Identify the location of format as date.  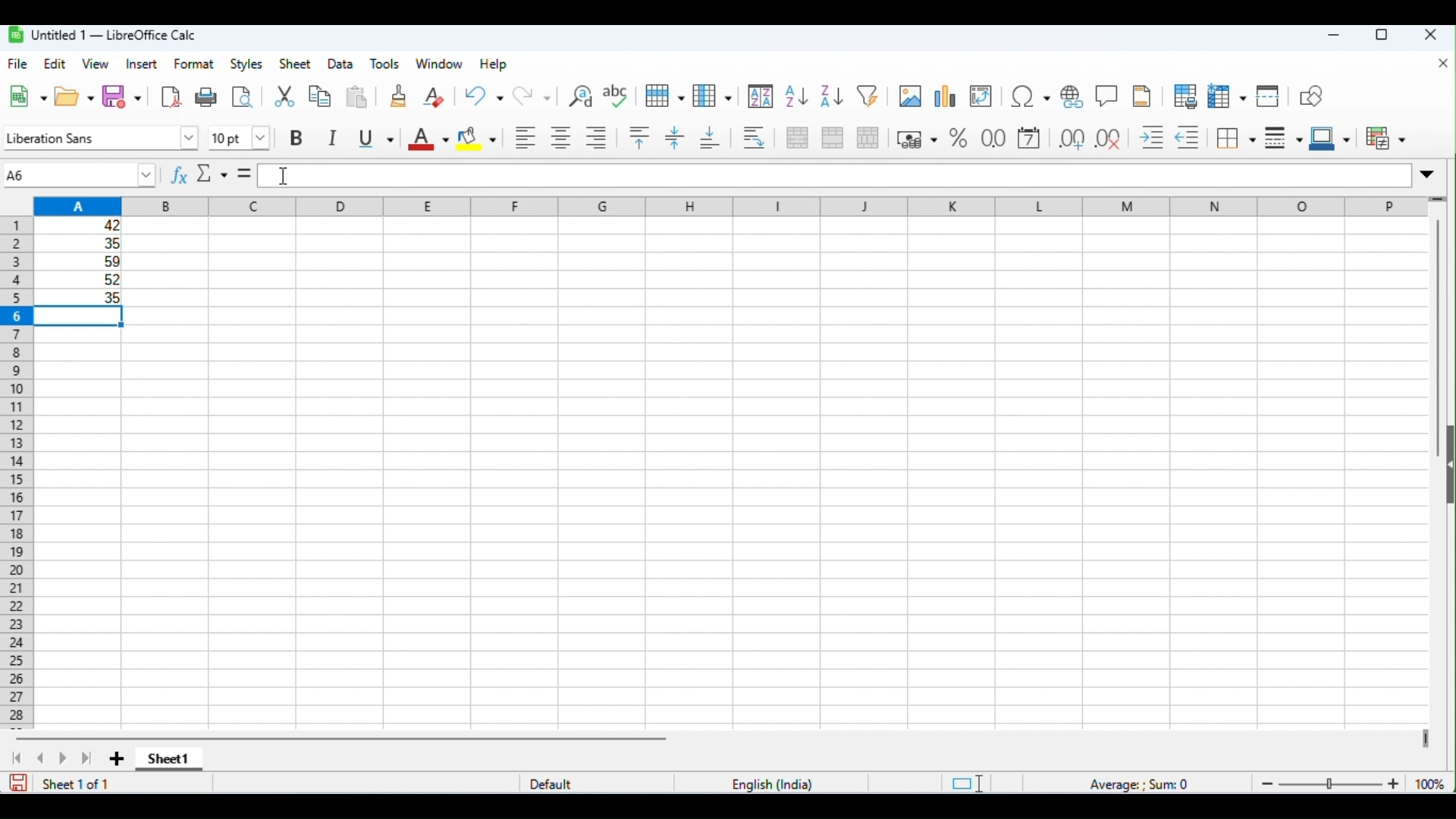
(1029, 138).